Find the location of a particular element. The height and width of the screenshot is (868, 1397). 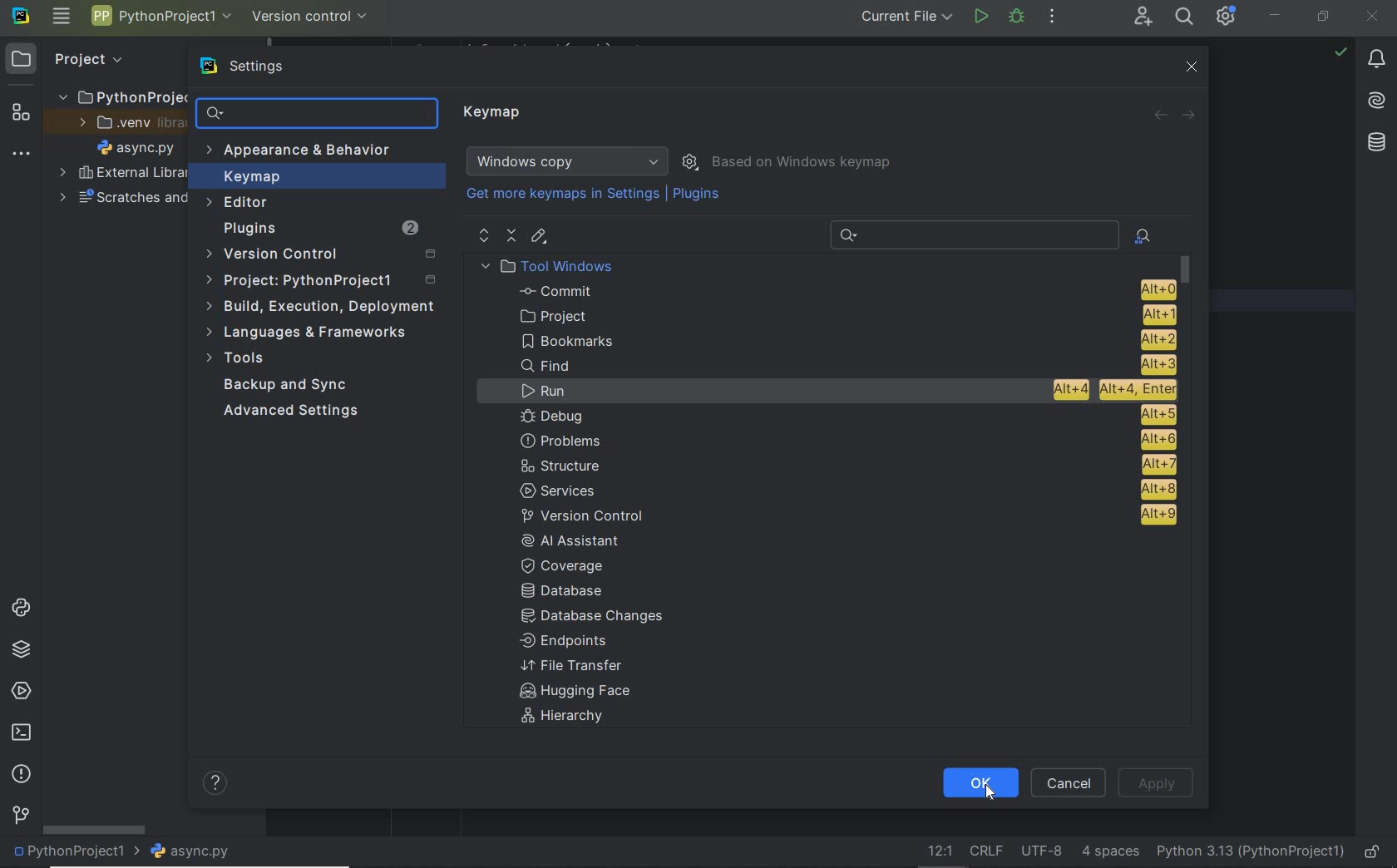

back is located at coordinates (1161, 116).